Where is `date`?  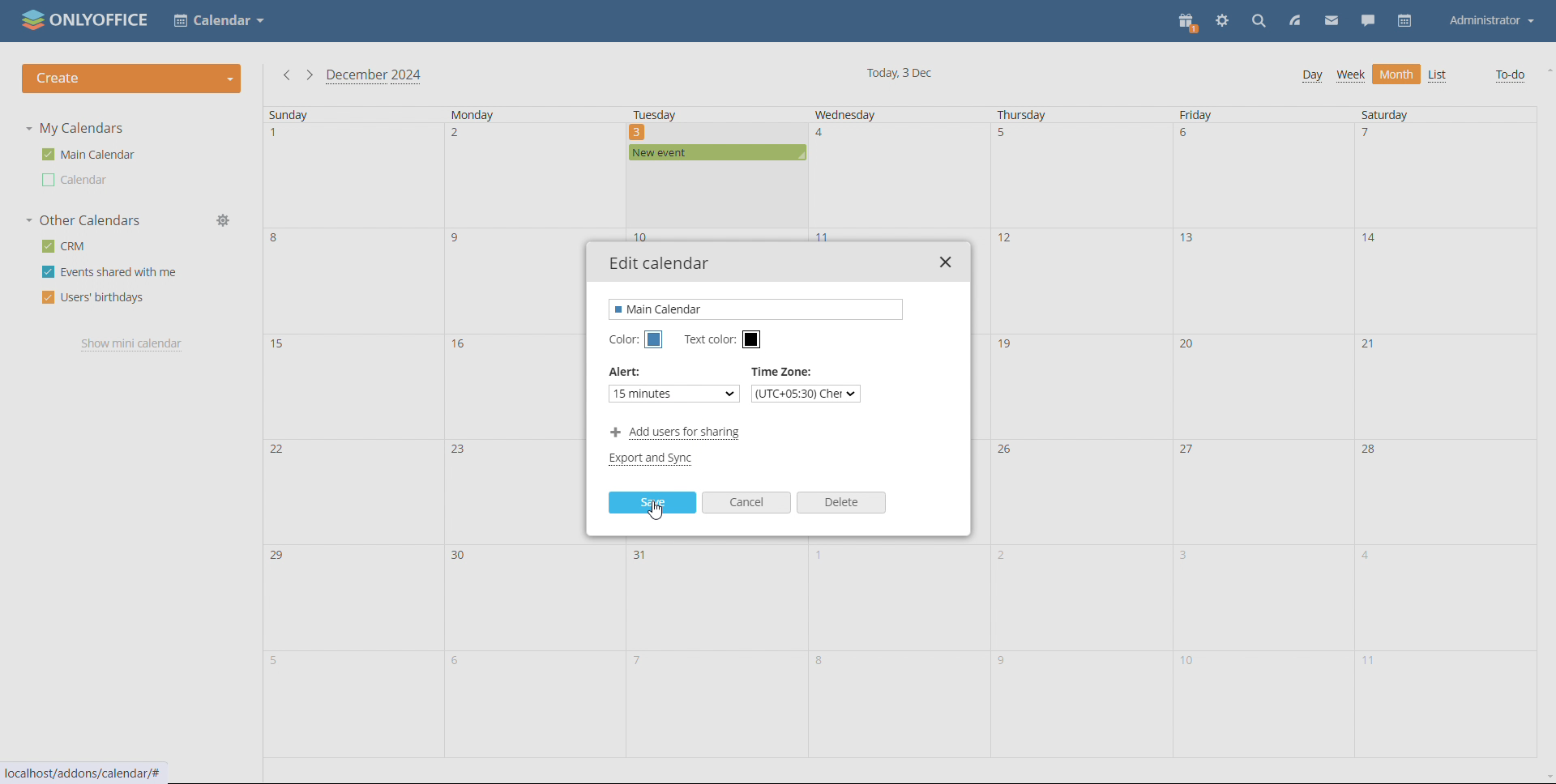
date is located at coordinates (1448, 595).